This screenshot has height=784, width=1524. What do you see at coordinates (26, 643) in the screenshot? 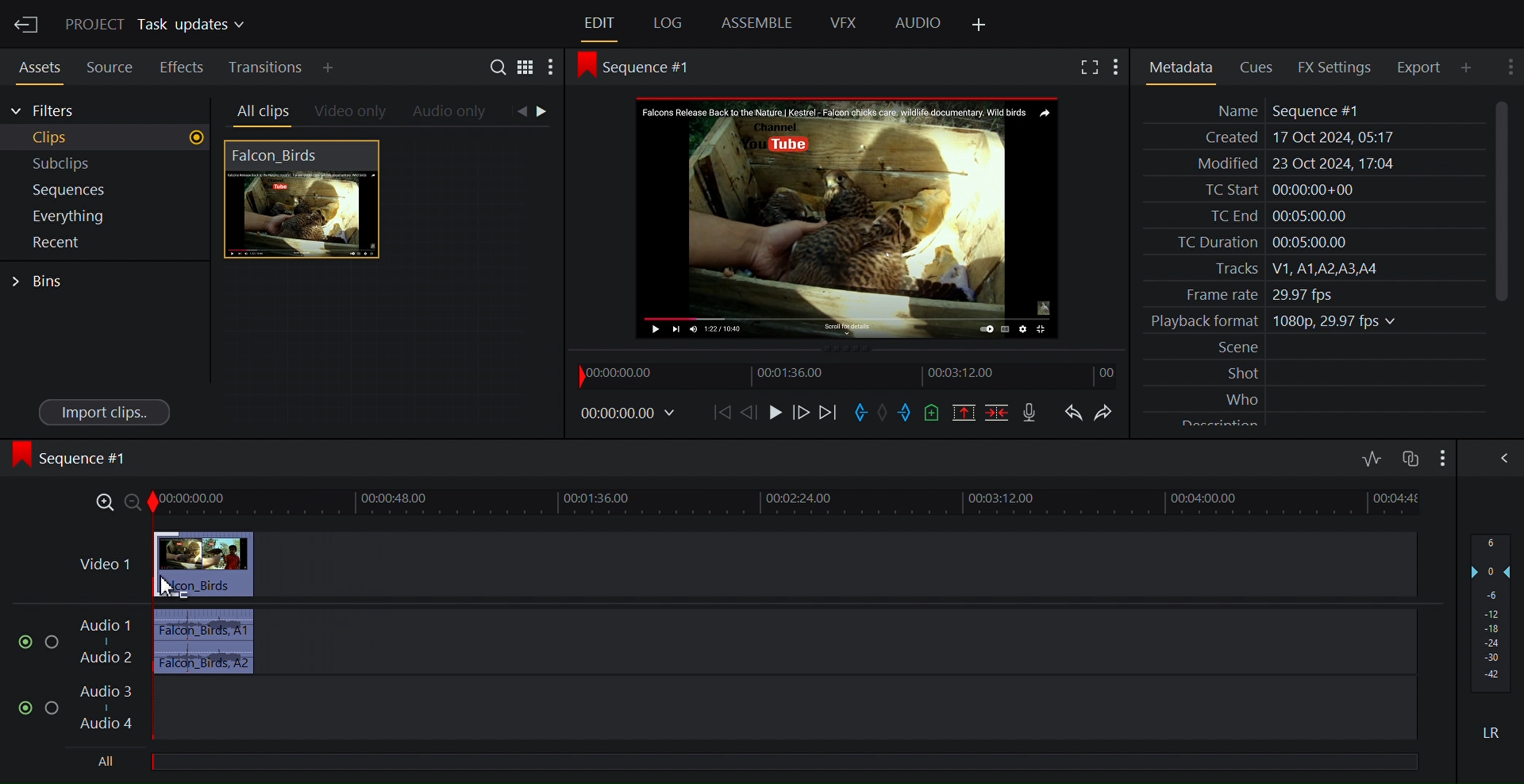
I see `(un)mute` at bounding box center [26, 643].